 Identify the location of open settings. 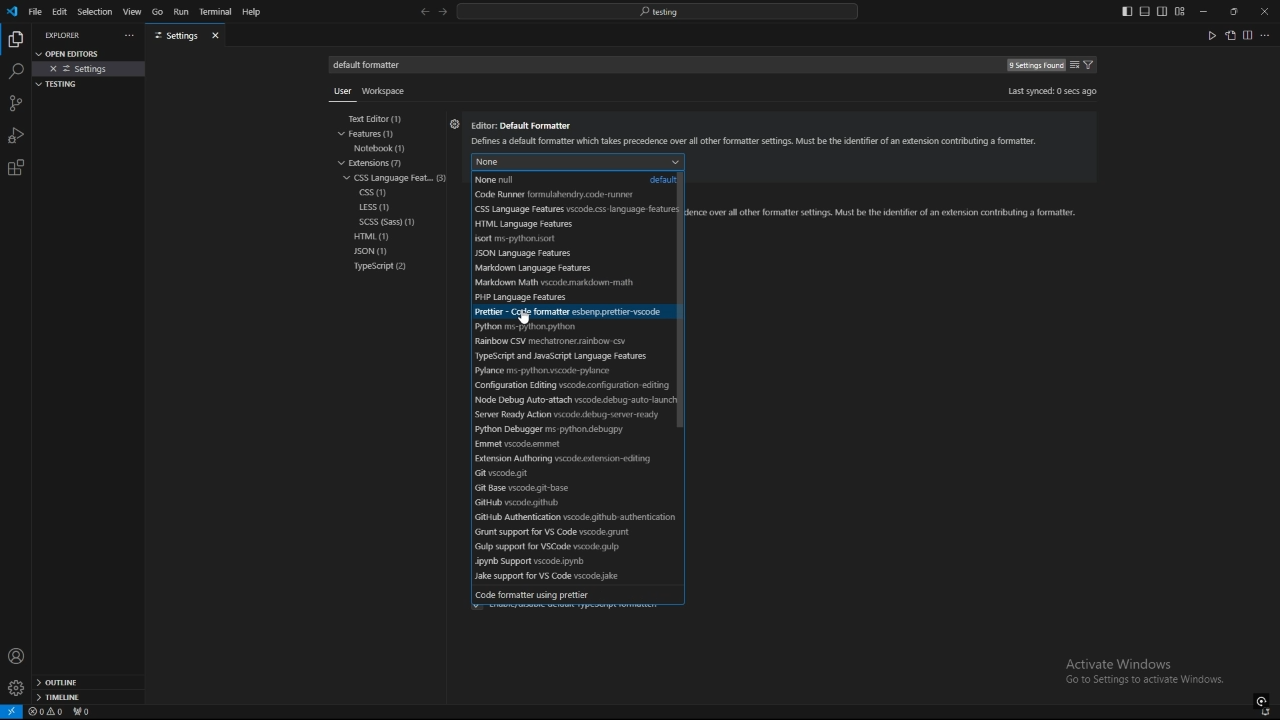
(74, 52).